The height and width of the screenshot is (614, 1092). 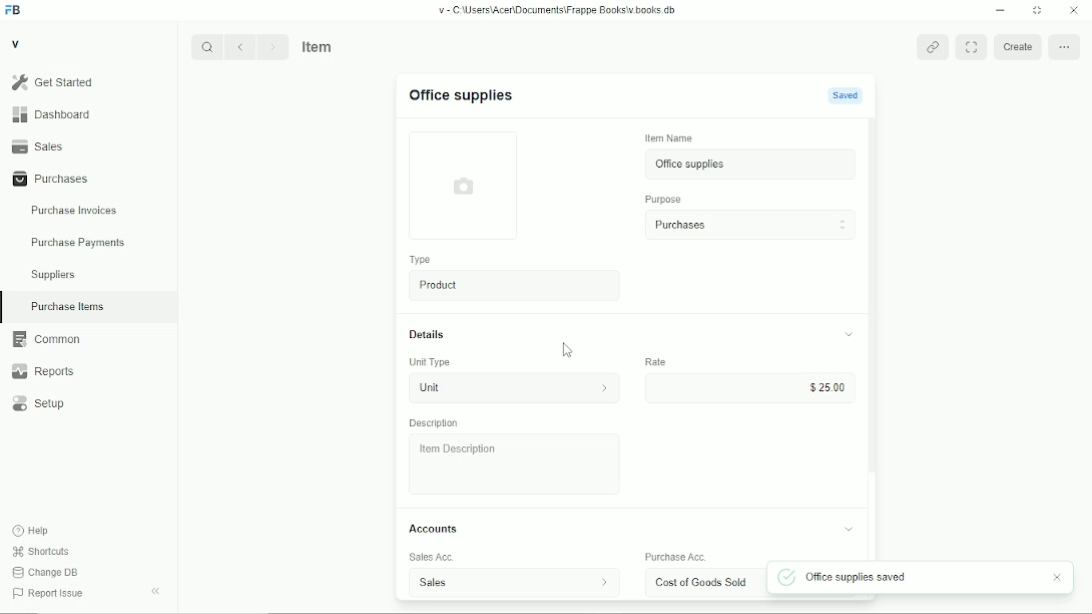 I want to click on item, so click(x=319, y=46).